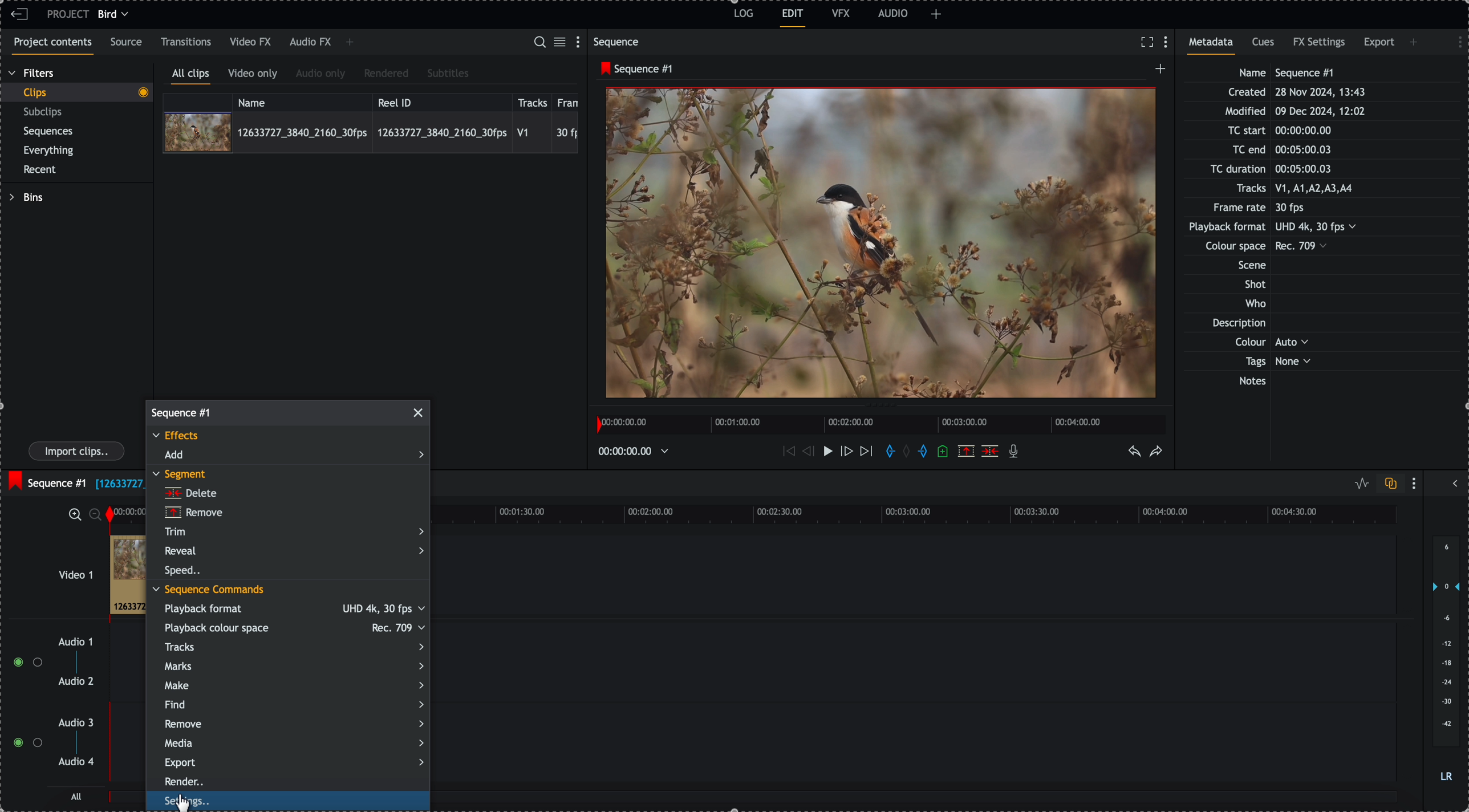 The image size is (1469, 812). I want to click on FX settings, so click(1320, 44).